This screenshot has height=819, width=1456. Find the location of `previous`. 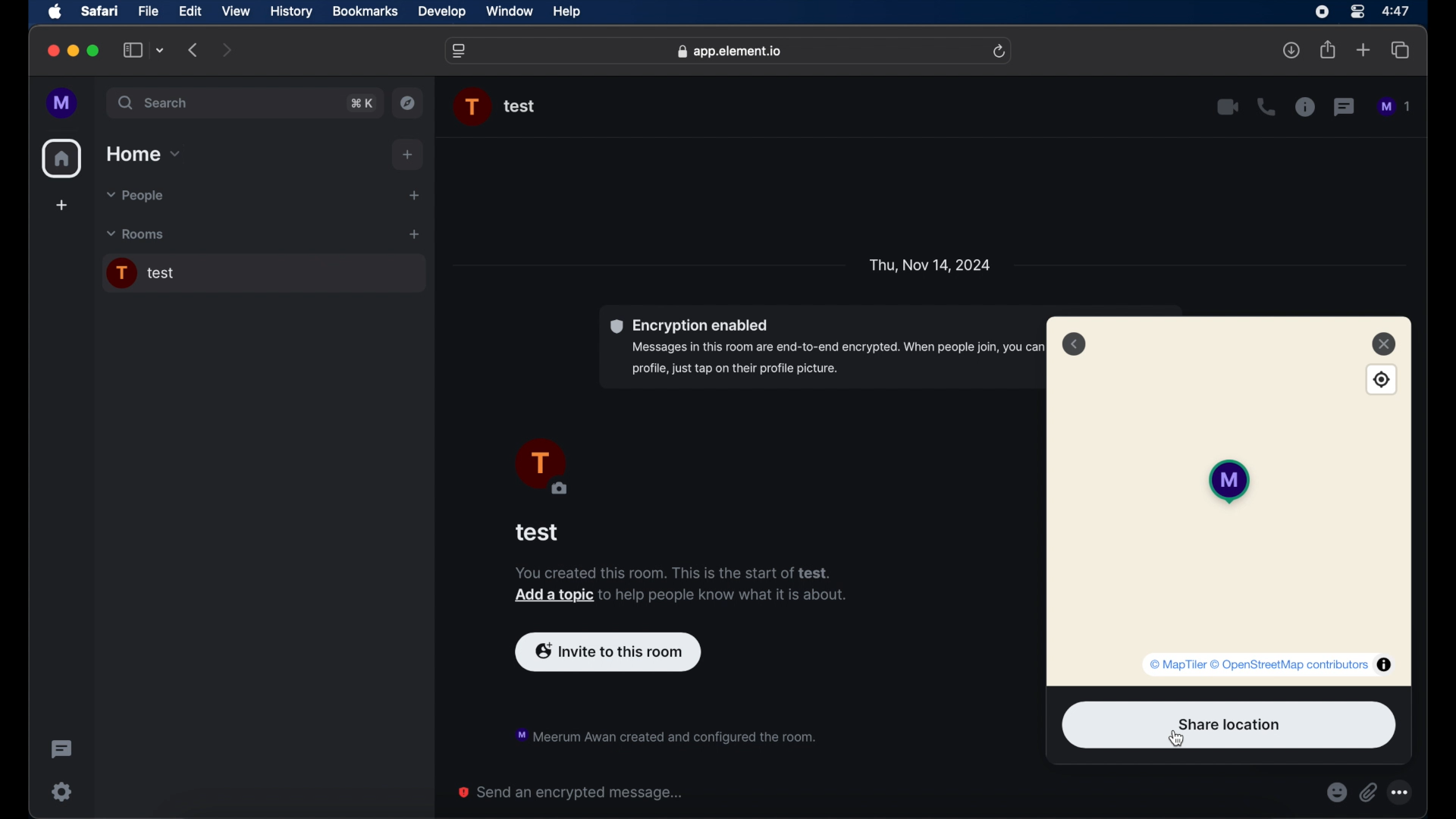

previous is located at coordinates (194, 50).